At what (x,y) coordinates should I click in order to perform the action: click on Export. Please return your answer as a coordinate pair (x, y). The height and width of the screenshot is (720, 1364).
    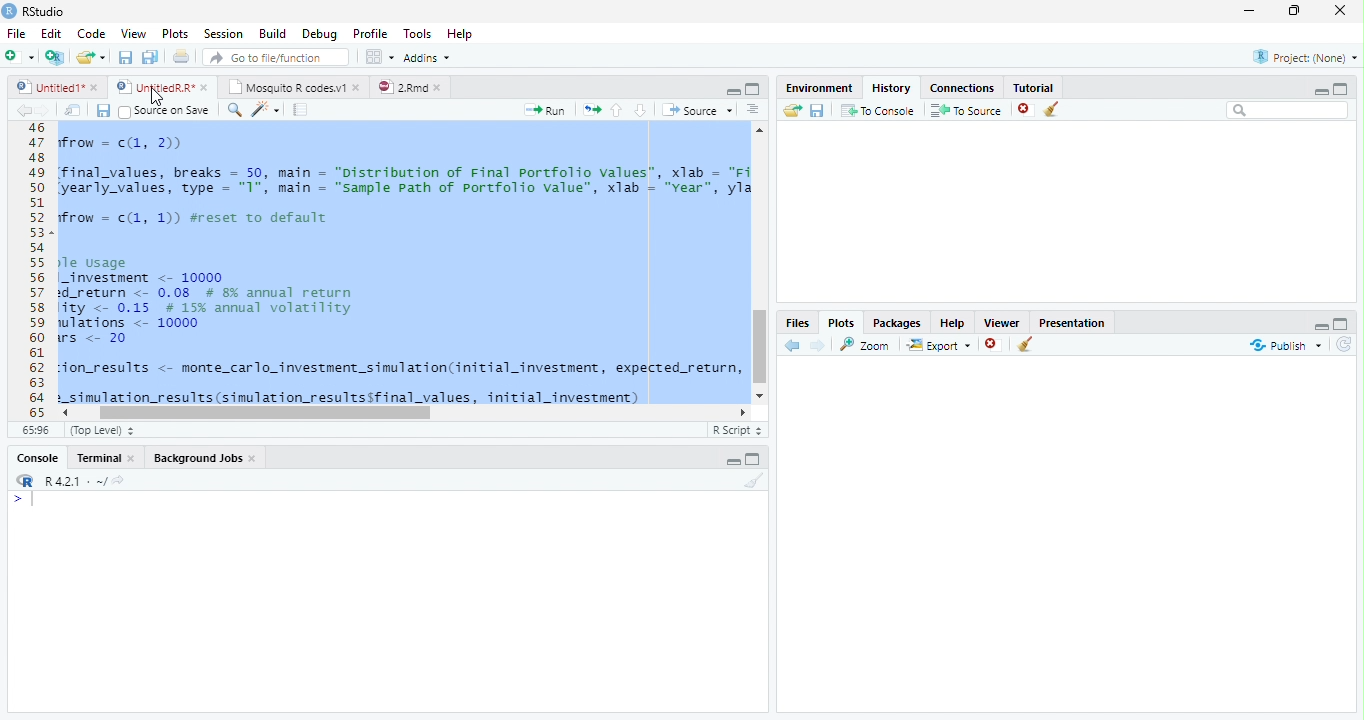
    Looking at the image, I should click on (937, 345).